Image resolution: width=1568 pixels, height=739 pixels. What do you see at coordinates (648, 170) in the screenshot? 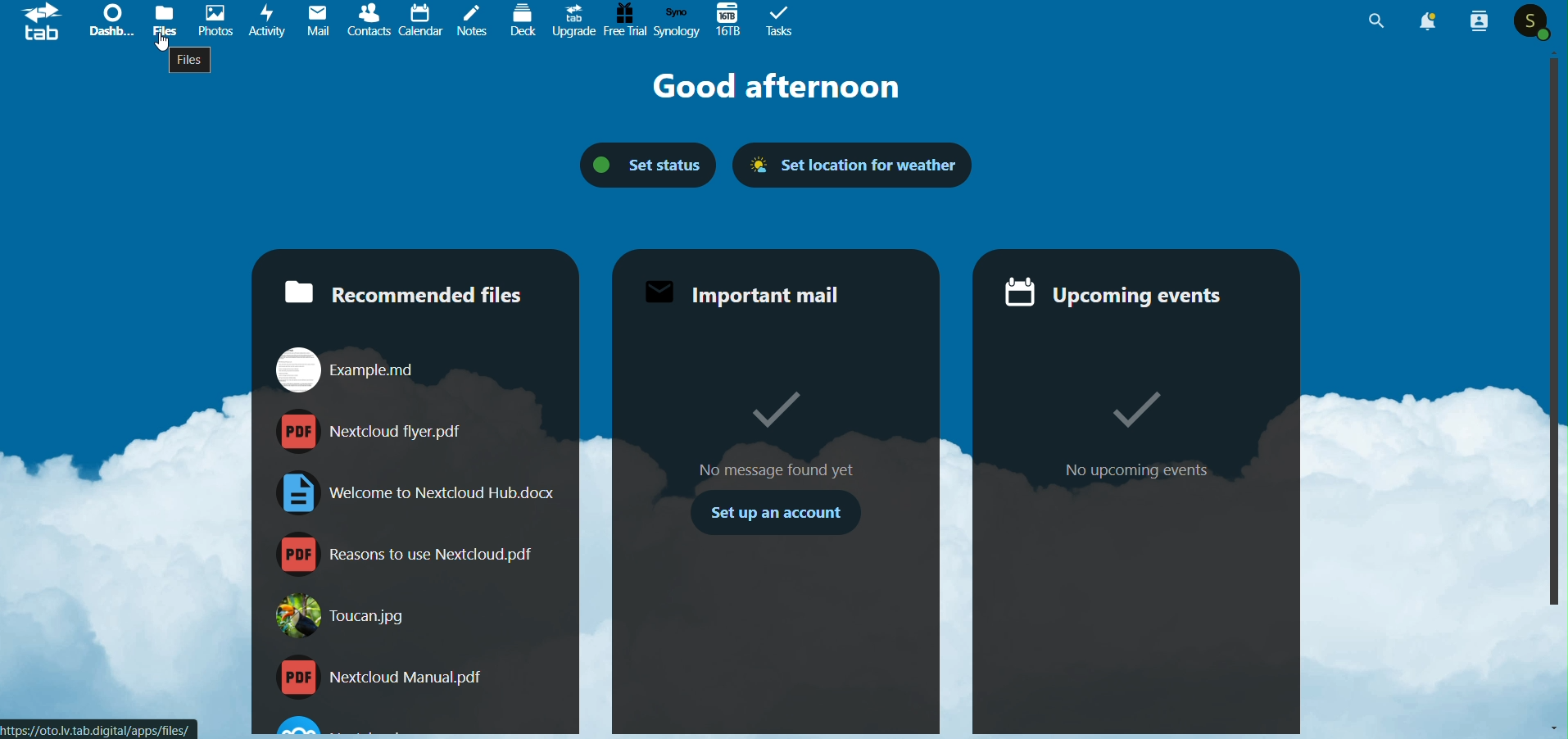
I see `Set Status` at bounding box center [648, 170].